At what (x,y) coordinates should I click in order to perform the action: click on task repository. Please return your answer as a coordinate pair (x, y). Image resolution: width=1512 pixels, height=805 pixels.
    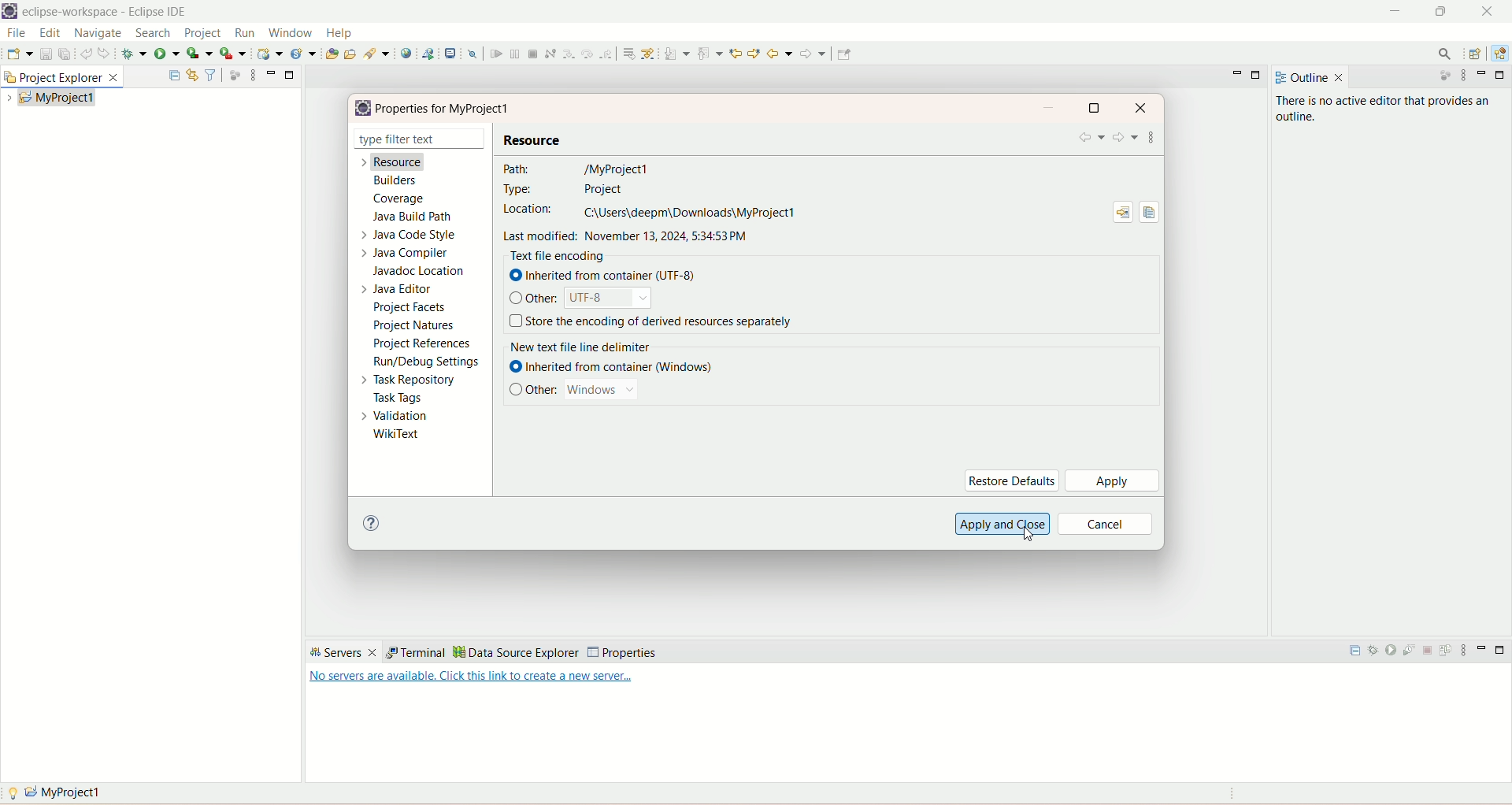
    Looking at the image, I should click on (407, 381).